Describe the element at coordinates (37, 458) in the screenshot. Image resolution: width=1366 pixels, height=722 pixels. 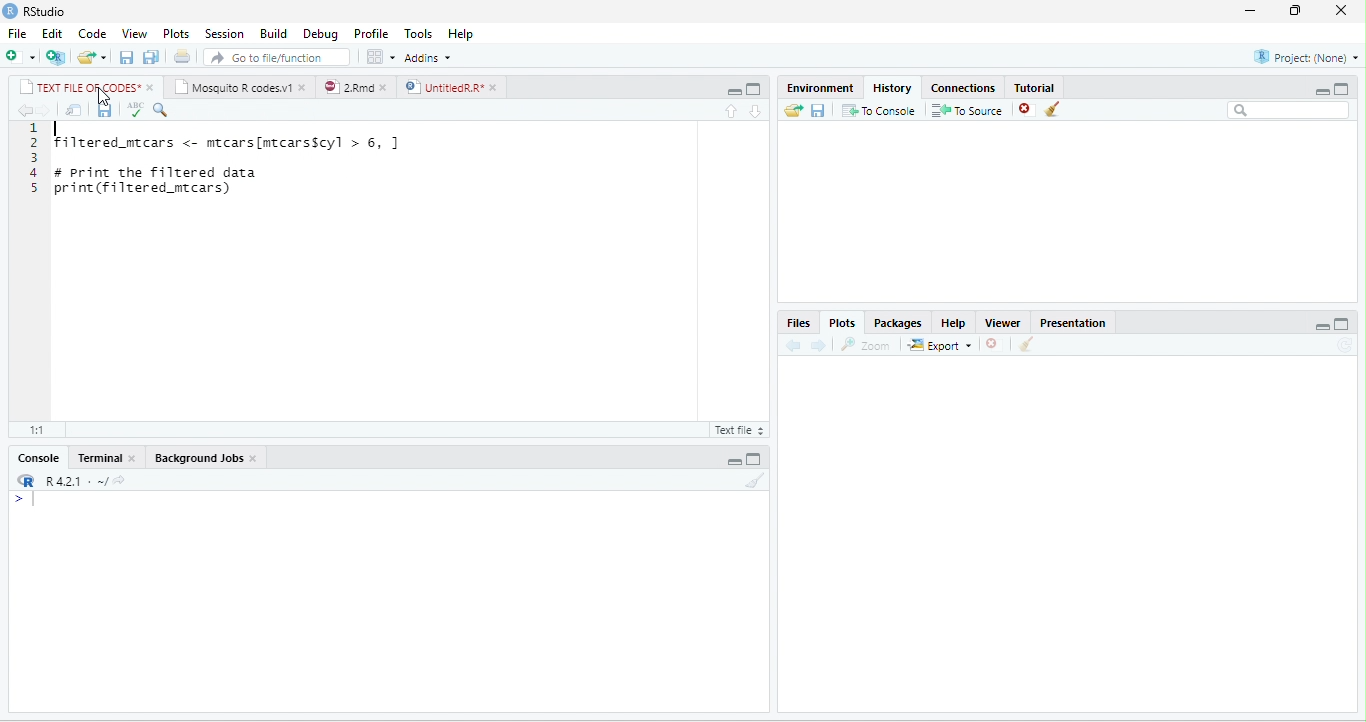
I see `Console` at that location.